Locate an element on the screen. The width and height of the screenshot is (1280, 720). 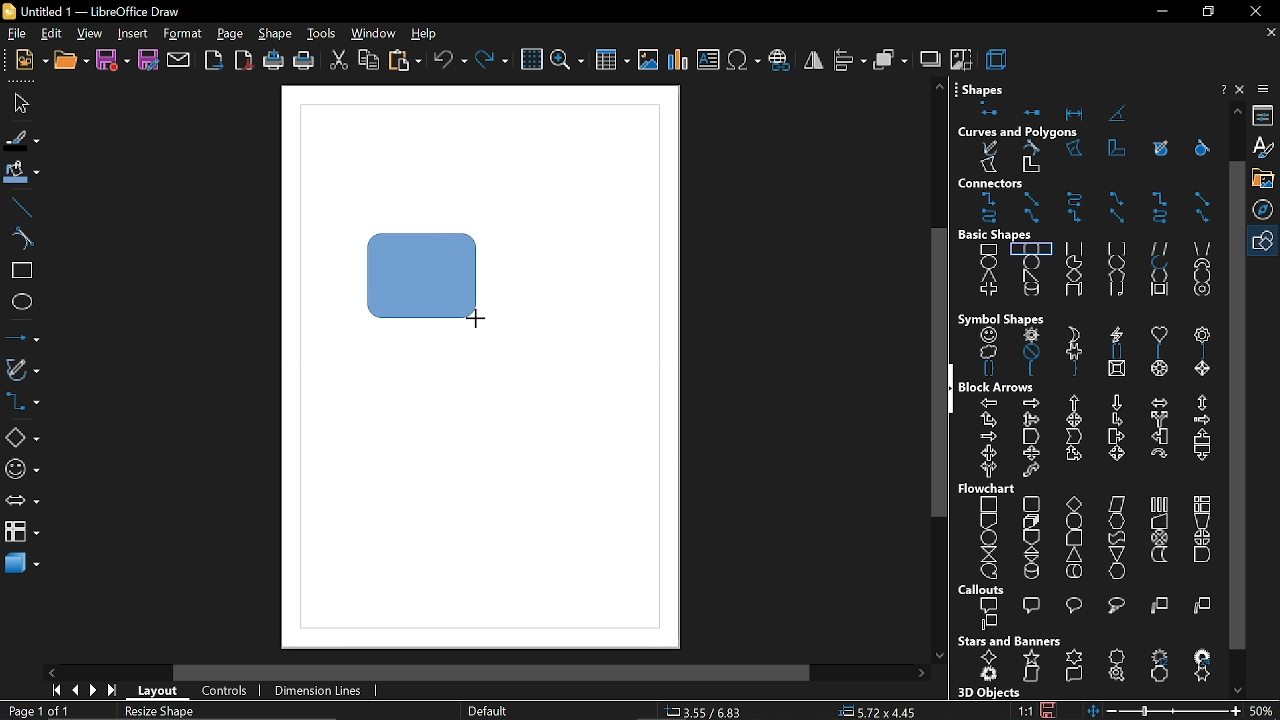
properties is located at coordinates (1266, 116).